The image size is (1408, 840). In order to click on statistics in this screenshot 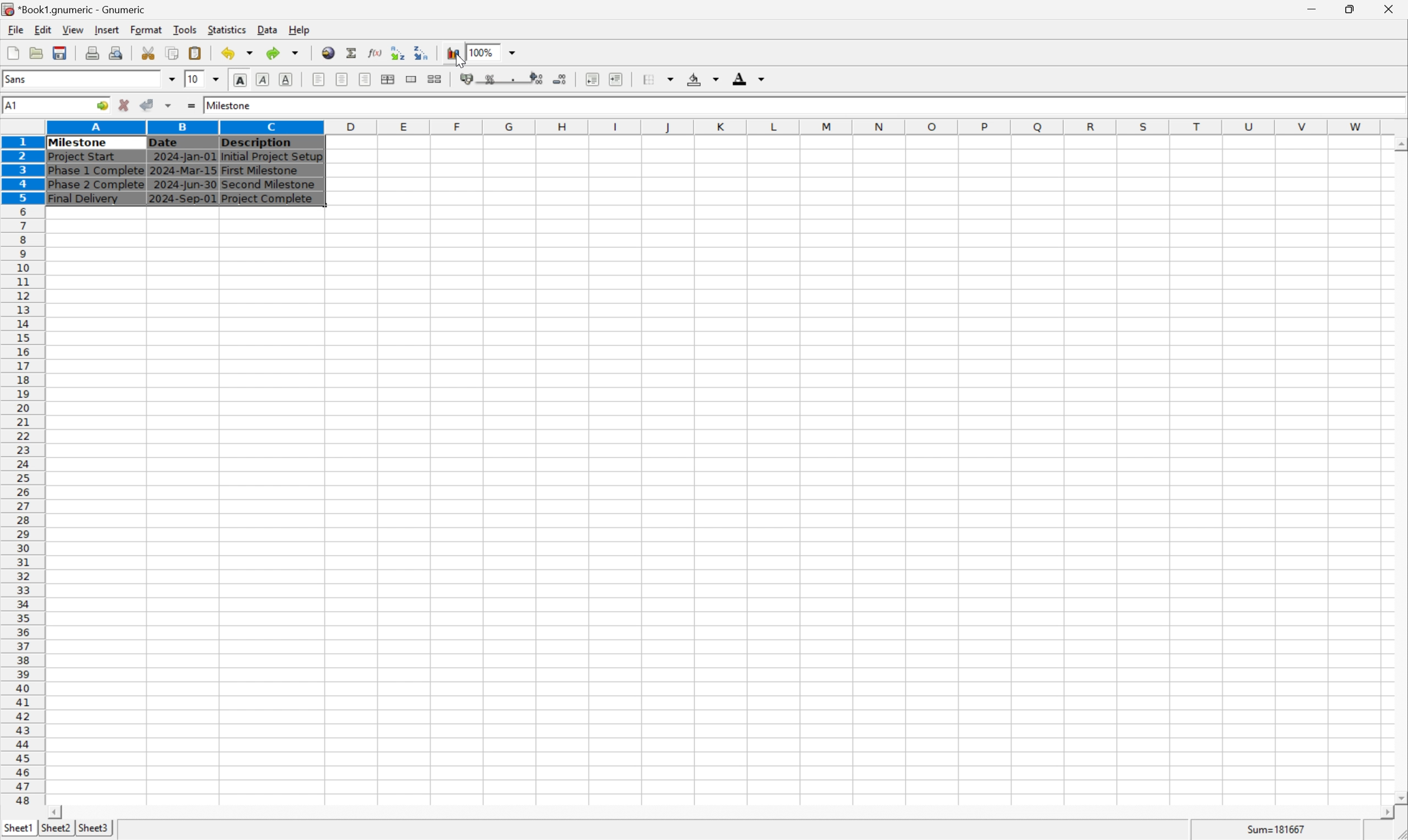, I will do `click(228, 29)`.